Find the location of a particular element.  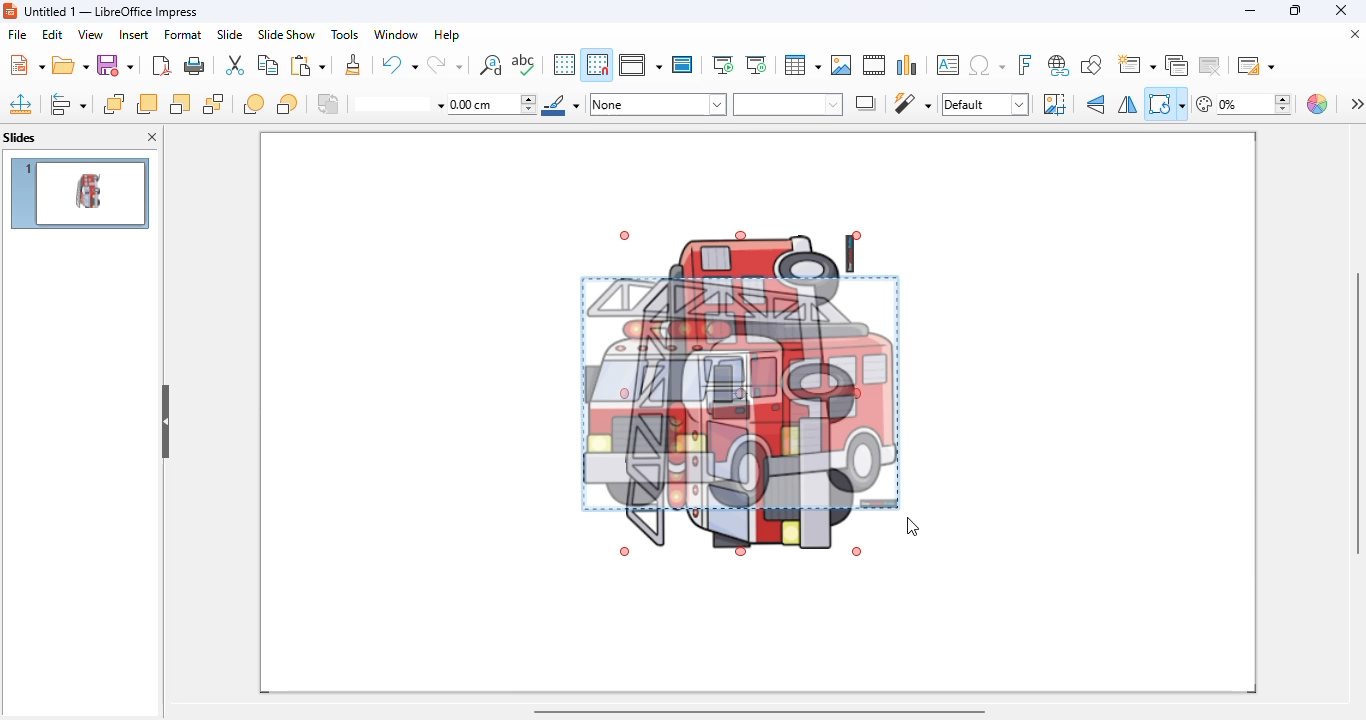

insert fontwork text is located at coordinates (1026, 64).